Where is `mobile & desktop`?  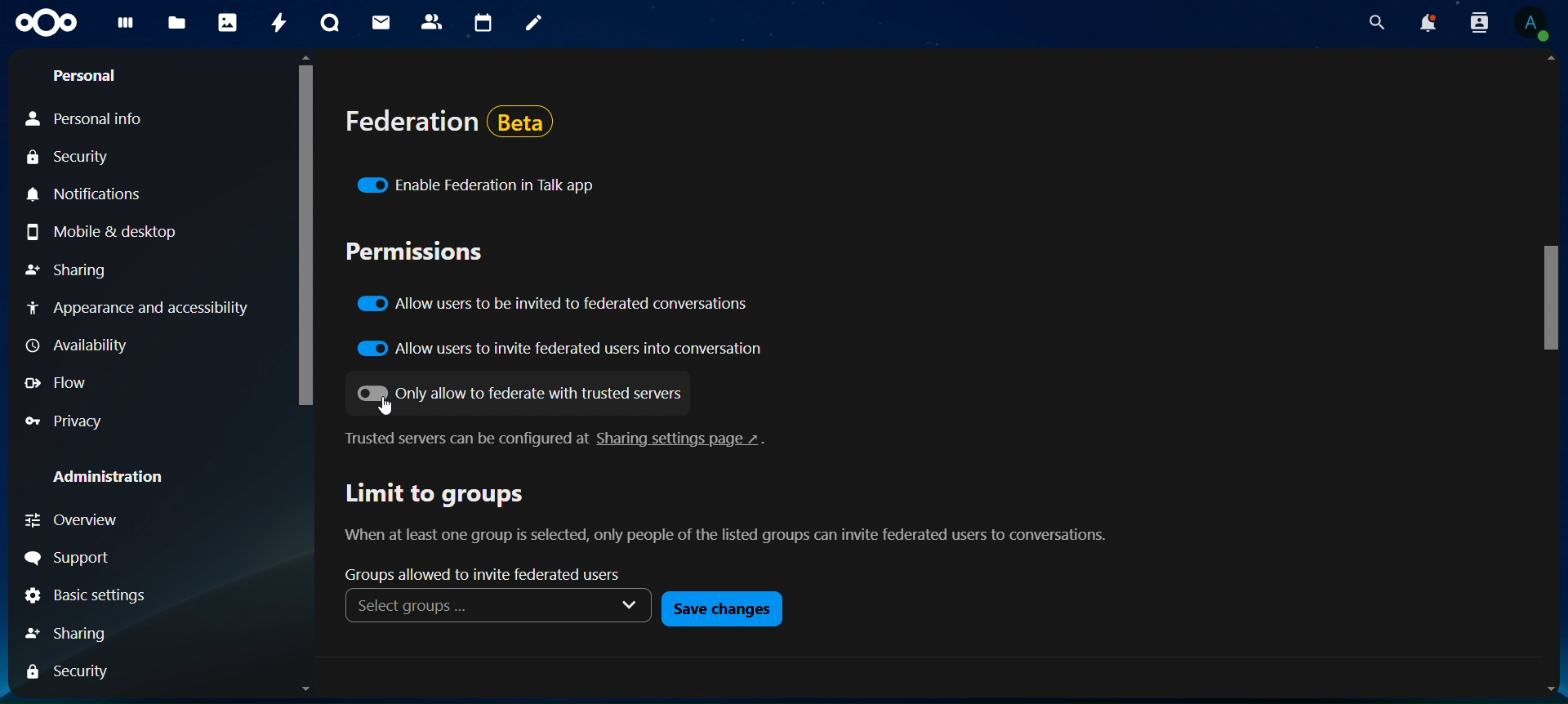 mobile & desktop is located at coordinates (102, 237).